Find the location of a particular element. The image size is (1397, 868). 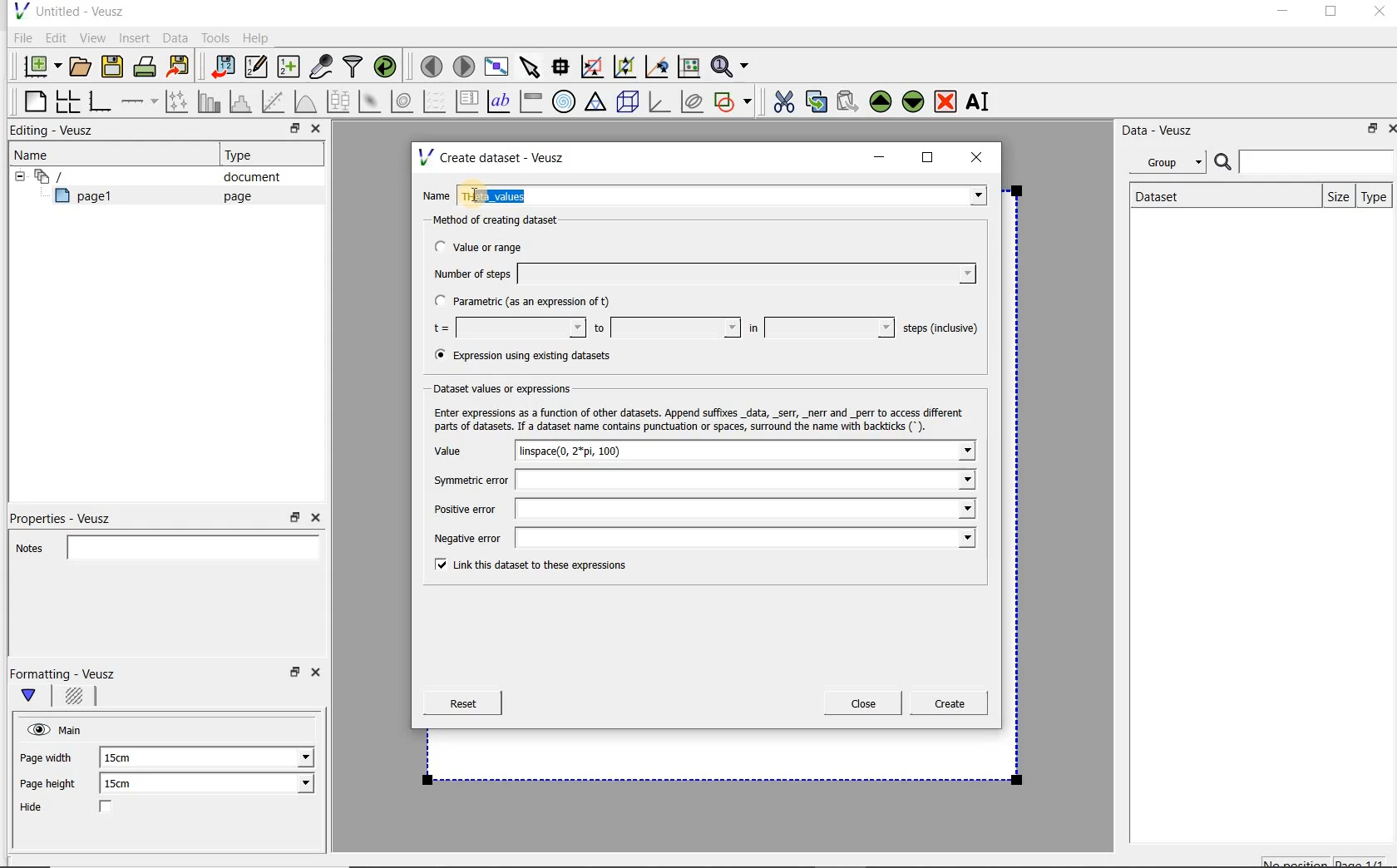

to is located at coordinates (665, 328).